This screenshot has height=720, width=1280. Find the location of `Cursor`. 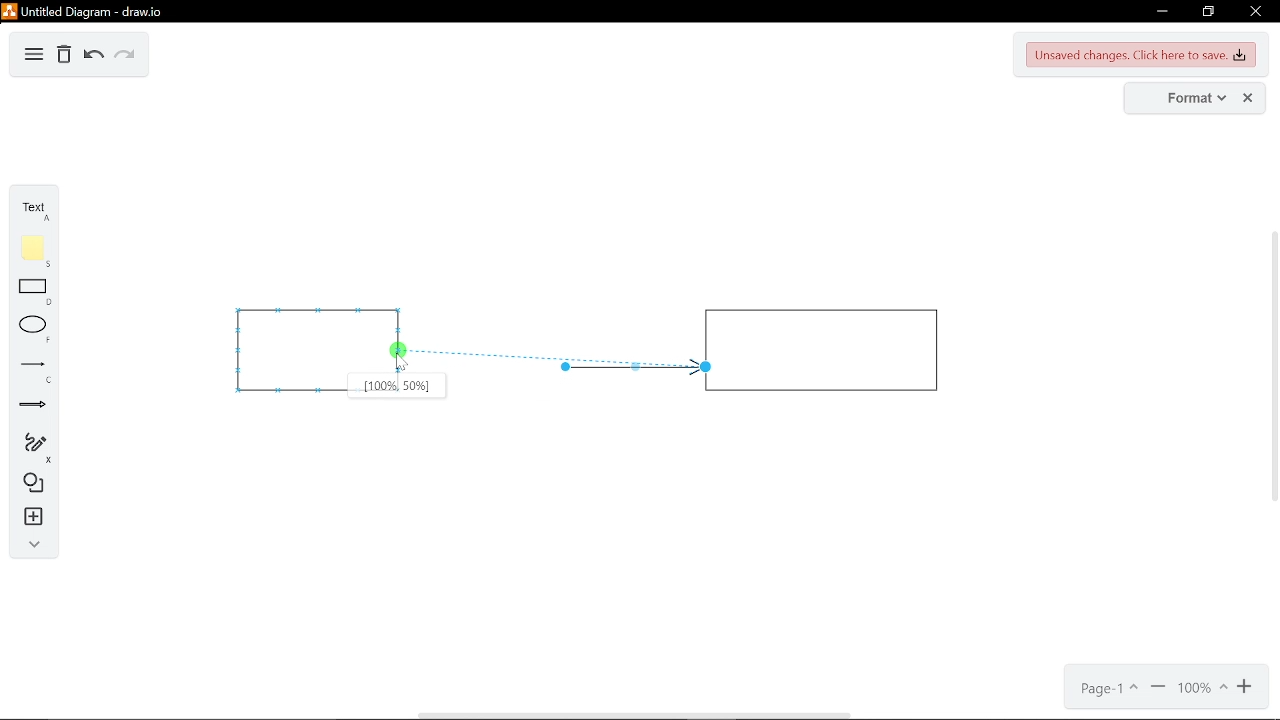

Cursor is located at coordinates (401, 363).